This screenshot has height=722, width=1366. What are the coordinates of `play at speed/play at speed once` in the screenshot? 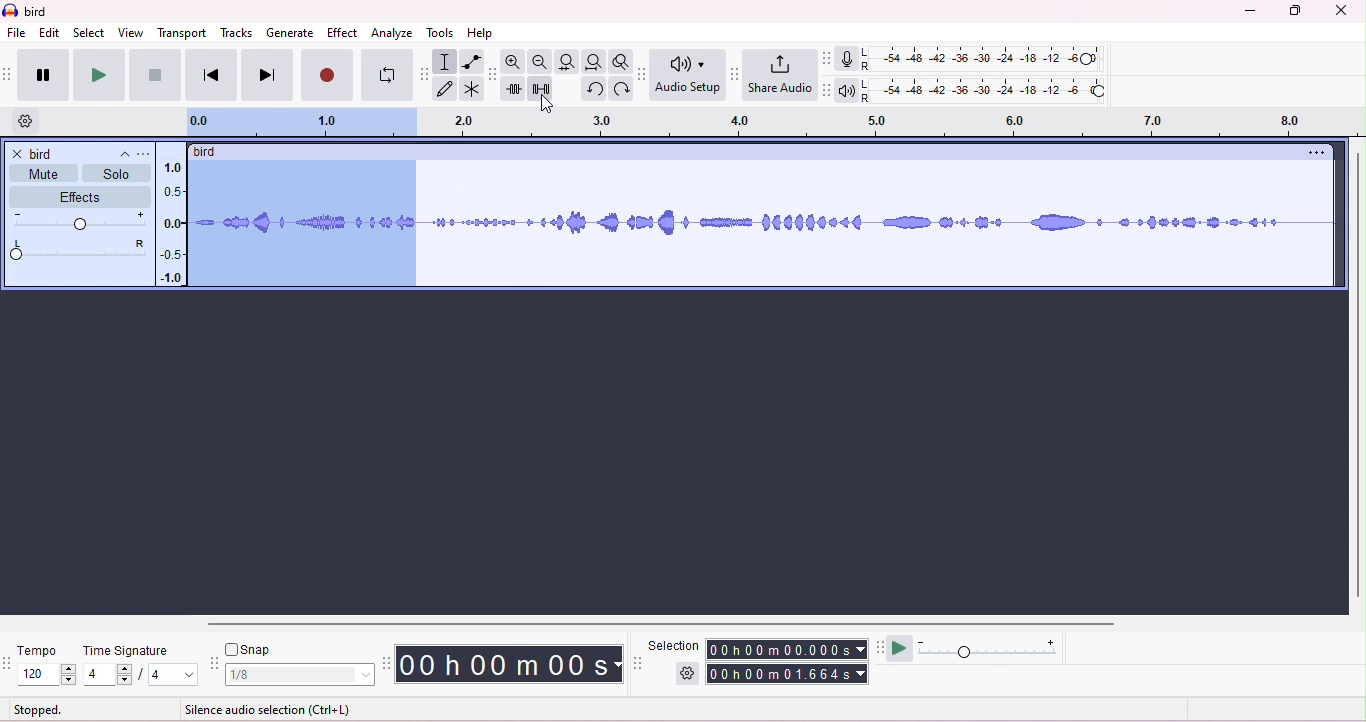 It's located at (902, 649).